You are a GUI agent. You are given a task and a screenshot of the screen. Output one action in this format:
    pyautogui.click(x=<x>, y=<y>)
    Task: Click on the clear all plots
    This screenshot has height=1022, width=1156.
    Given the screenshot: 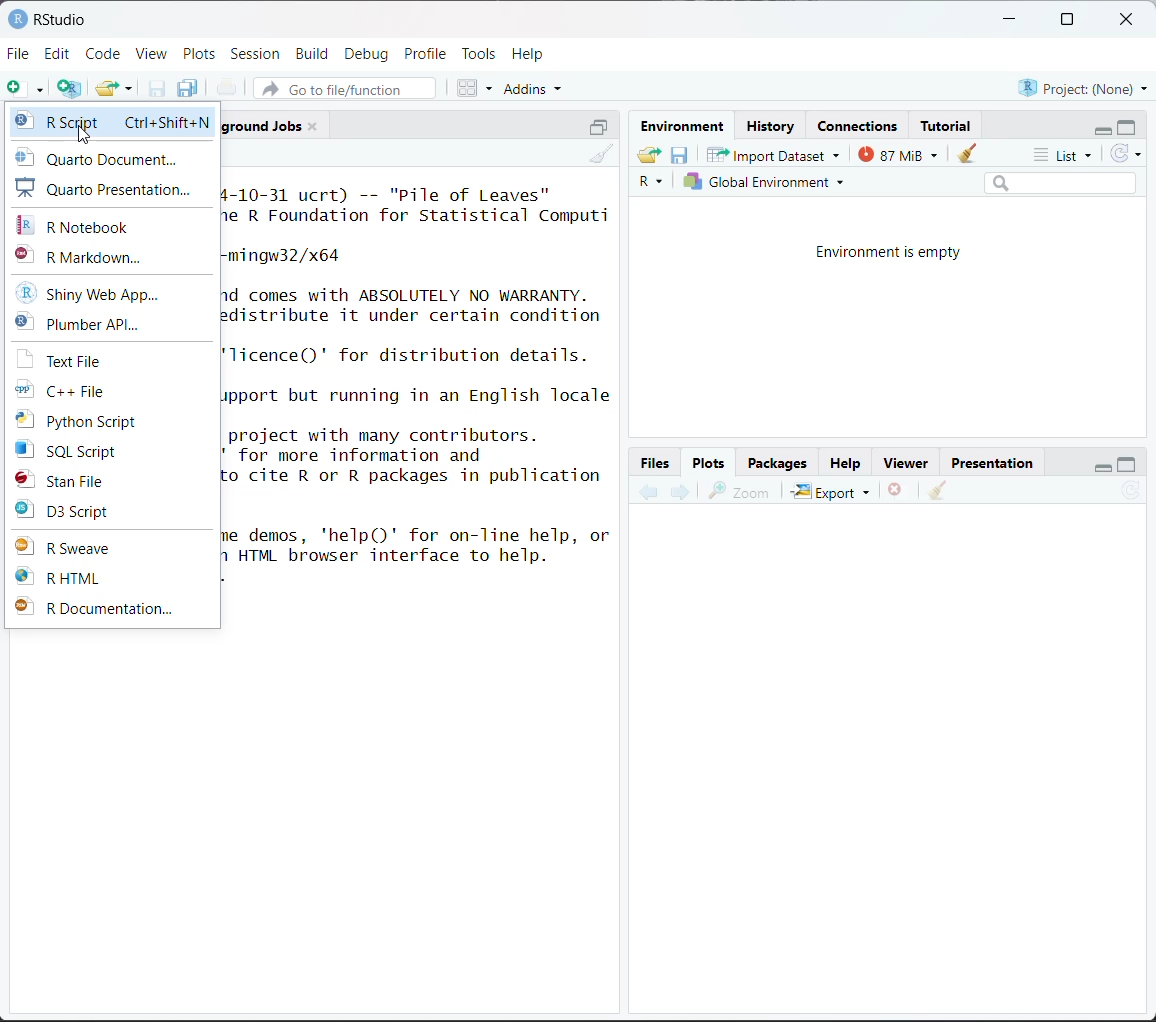 What is the action you would take?
    pyautogui.click(x=938, y=491)
    